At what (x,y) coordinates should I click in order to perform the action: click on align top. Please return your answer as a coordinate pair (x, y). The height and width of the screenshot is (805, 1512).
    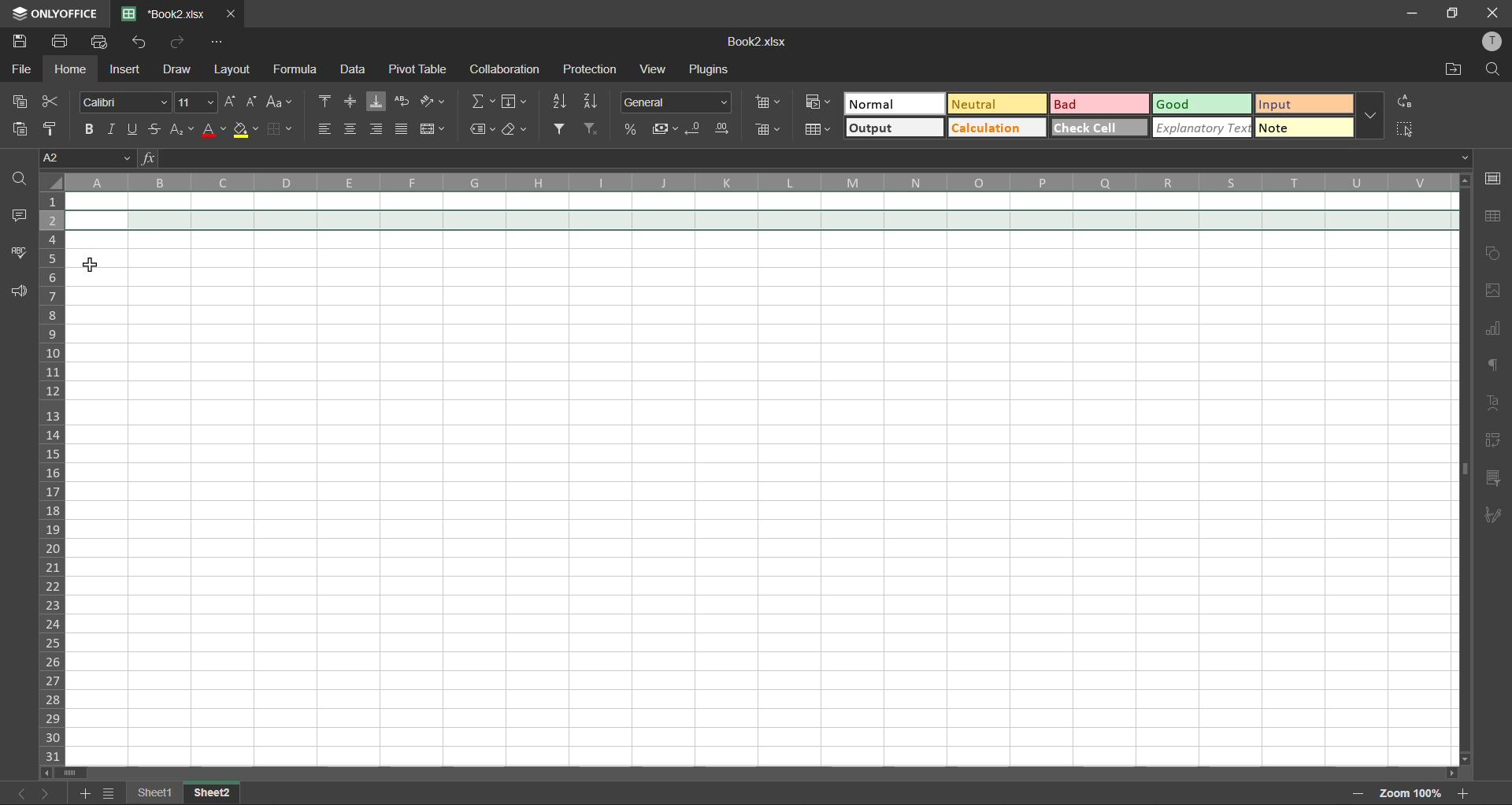
    Looking at the image, I should click on (328, 101).